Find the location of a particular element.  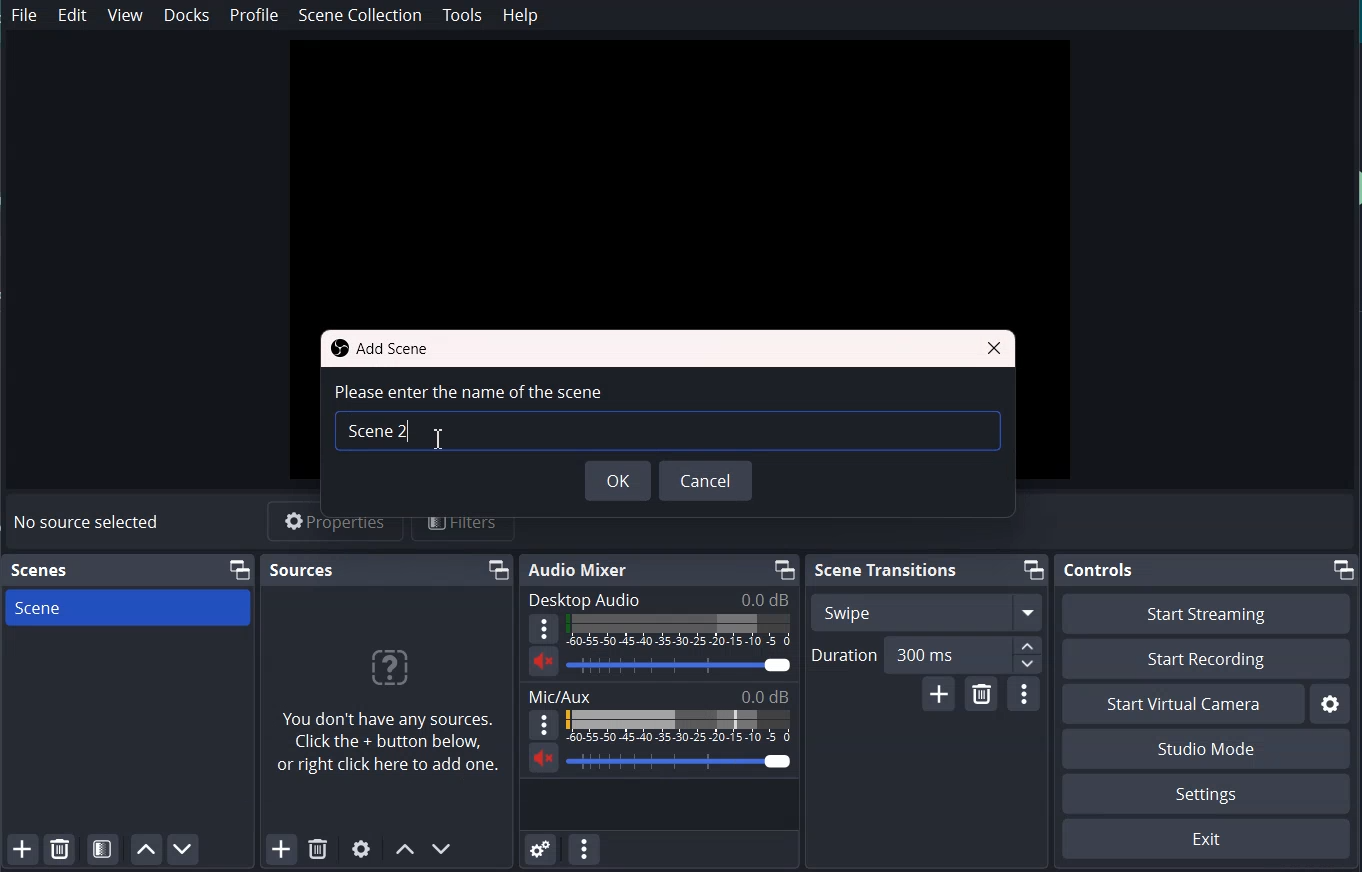

Start Virtual Camera is located at coordinates (1183, 704).